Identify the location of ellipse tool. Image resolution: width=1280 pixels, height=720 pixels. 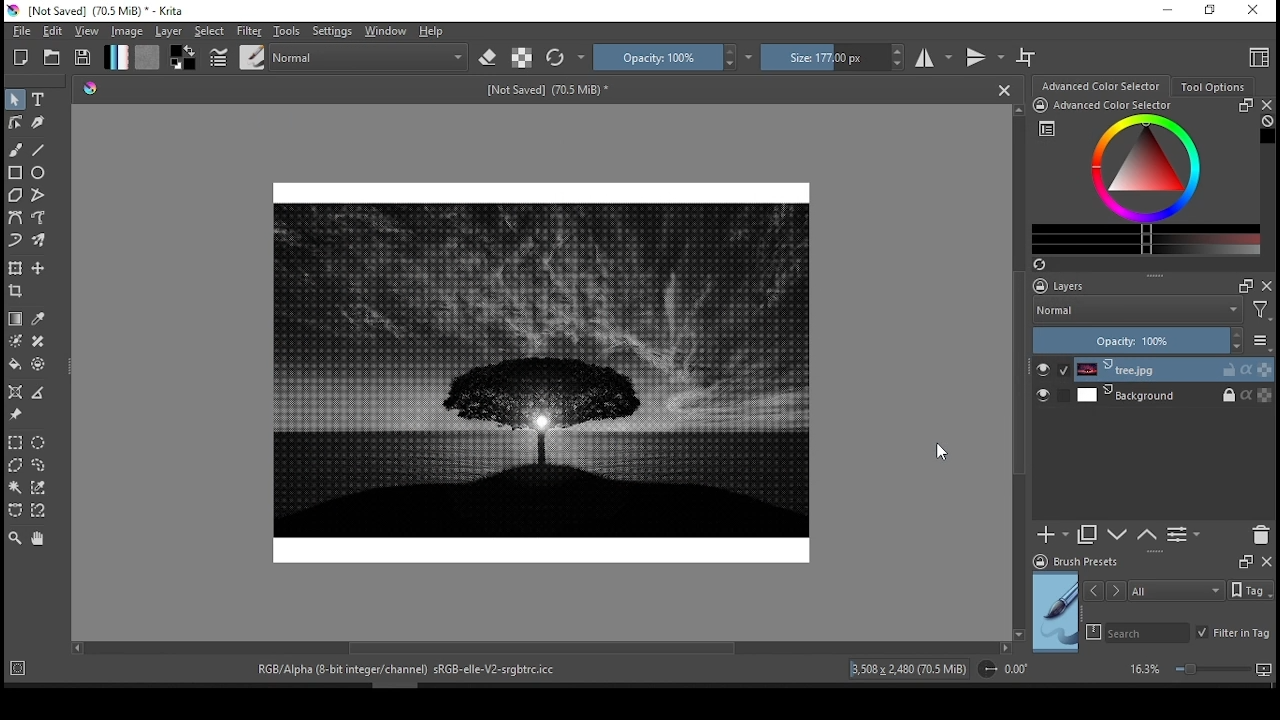
(44, 173).